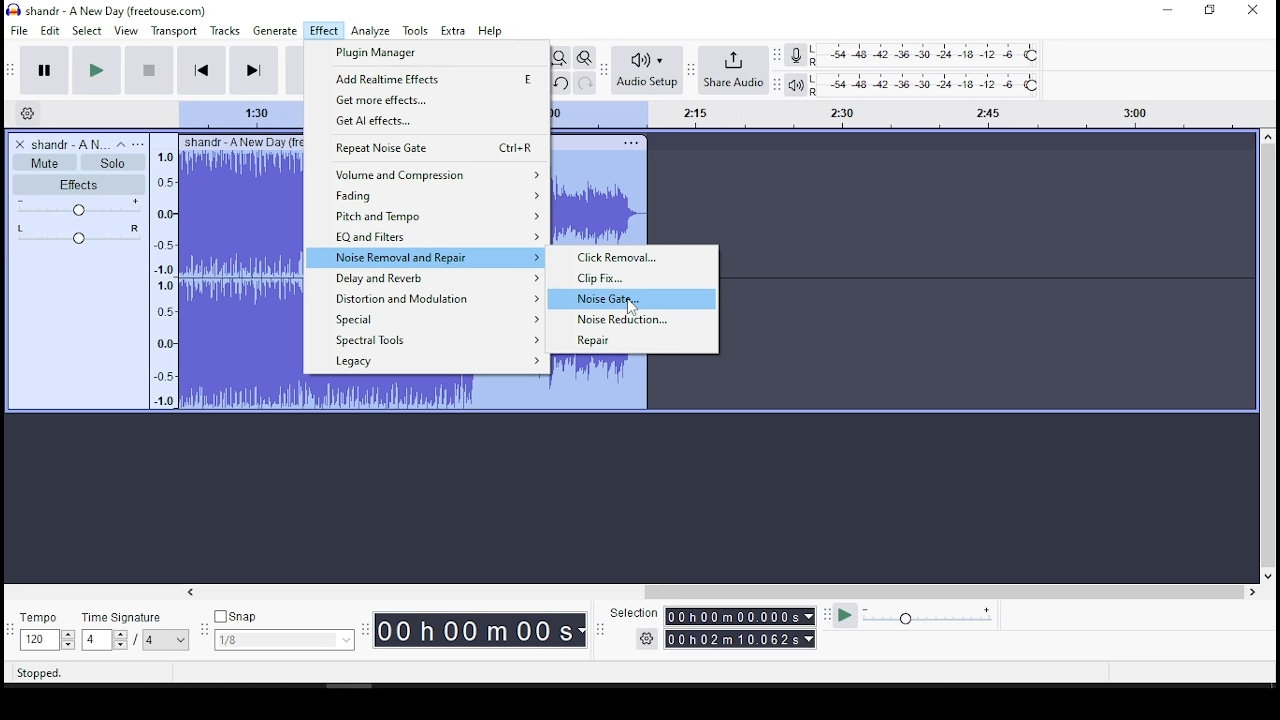 This screenshot has height=720, width=1280. I want to click on mute, so click(46, 162).